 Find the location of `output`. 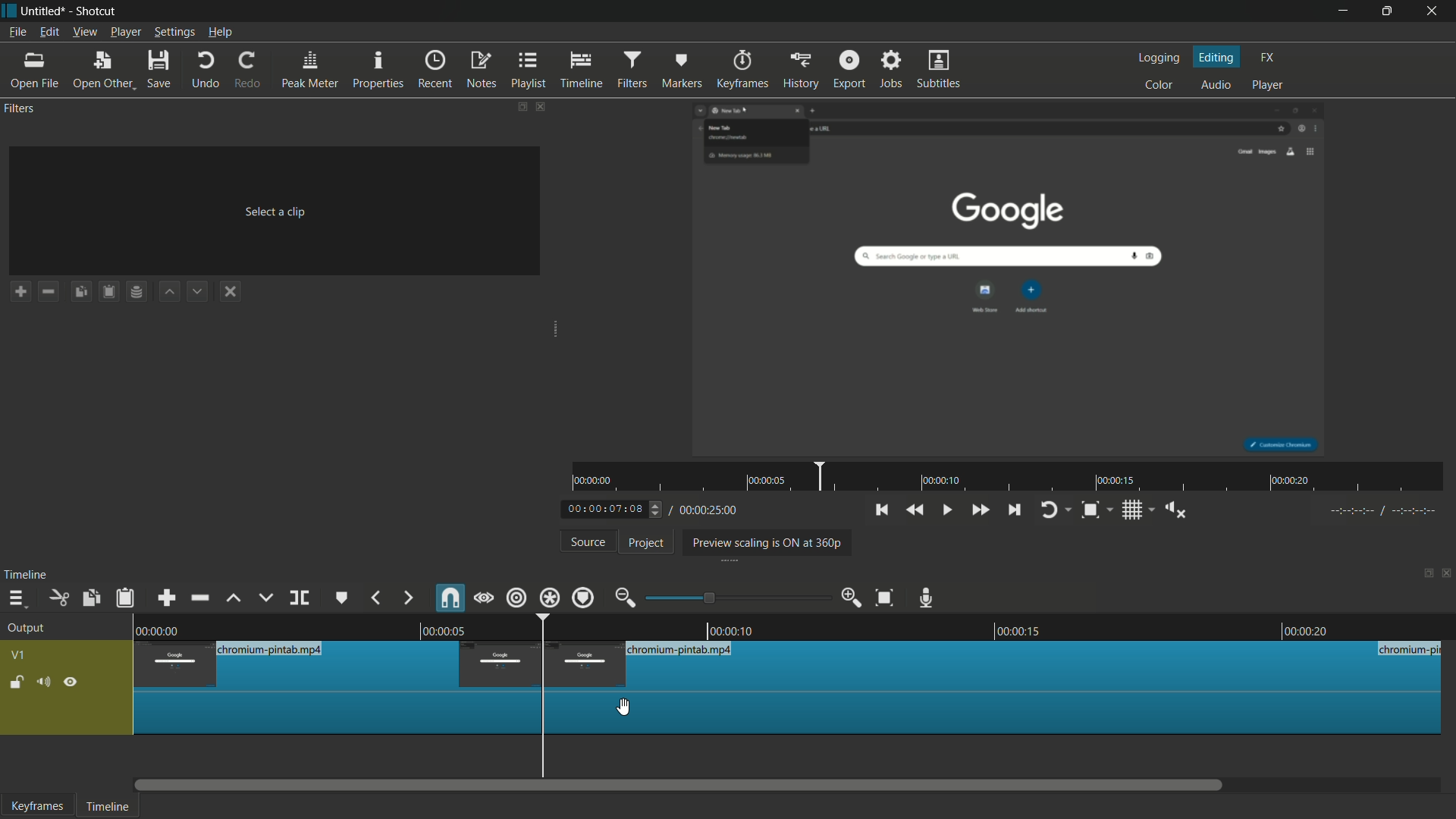

output is located at coordinates (30, 629).